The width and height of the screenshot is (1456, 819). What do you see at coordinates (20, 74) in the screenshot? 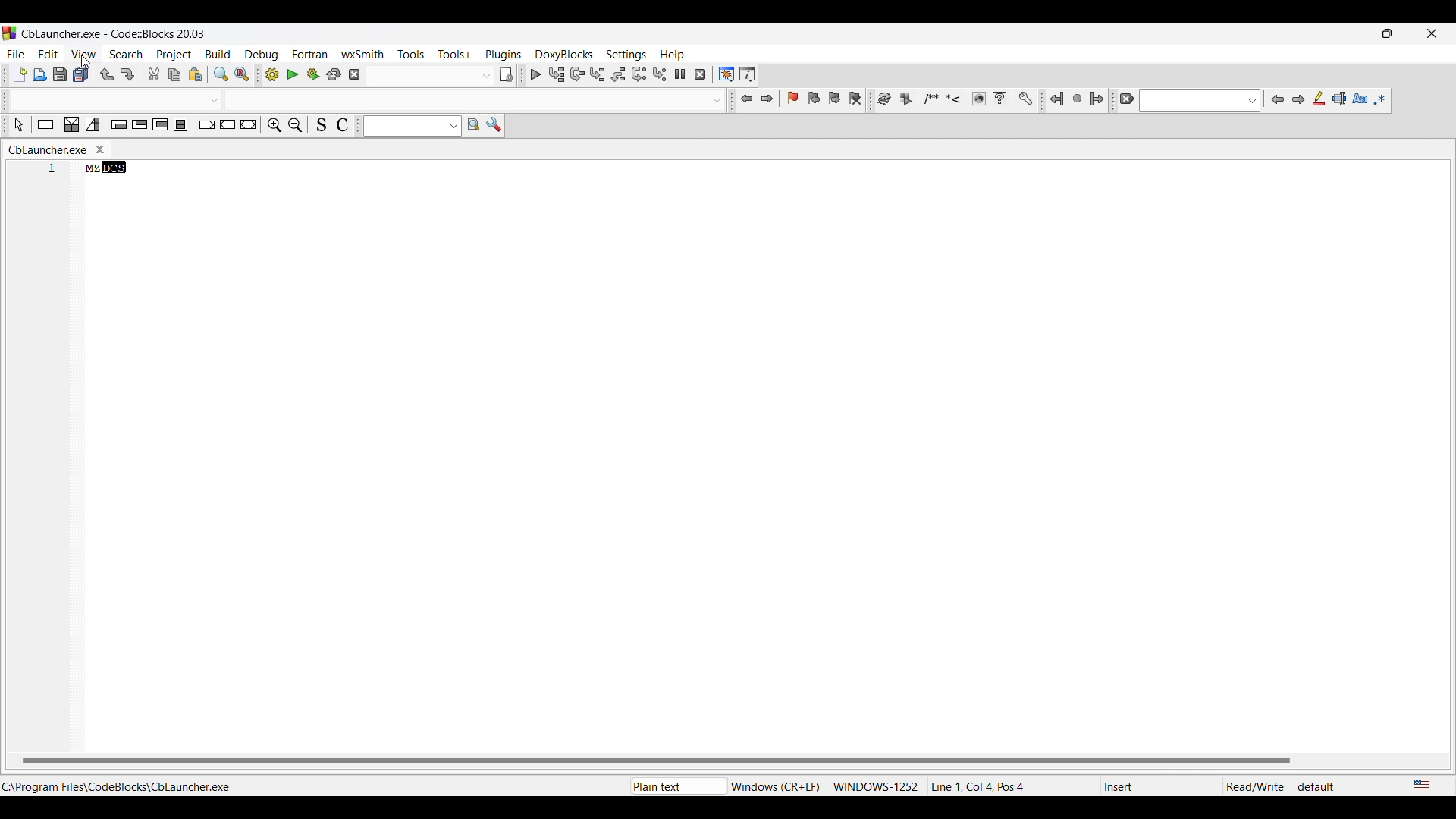
I see `New file` at bounding box center [20, 74].